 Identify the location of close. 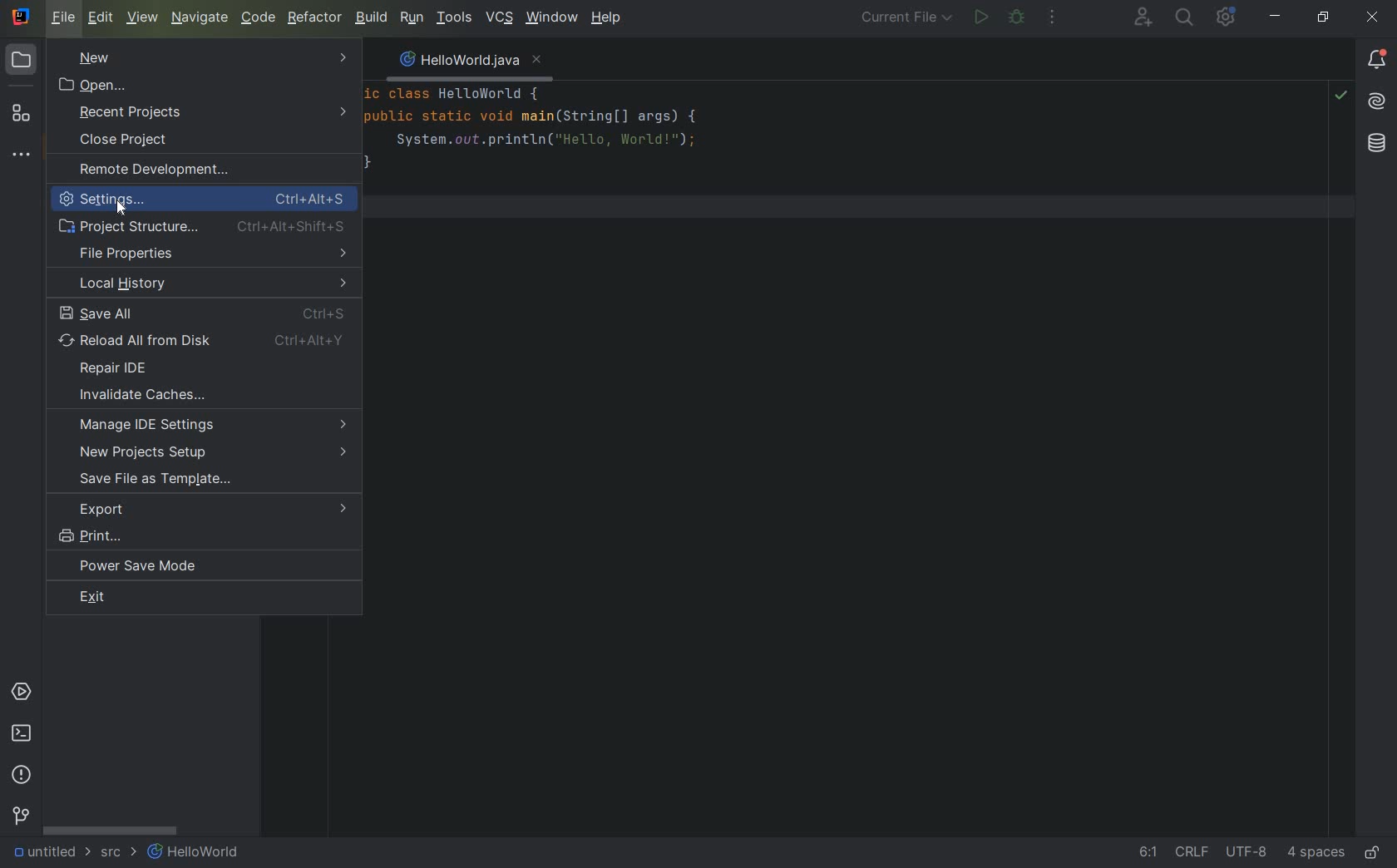
(1374, 18).